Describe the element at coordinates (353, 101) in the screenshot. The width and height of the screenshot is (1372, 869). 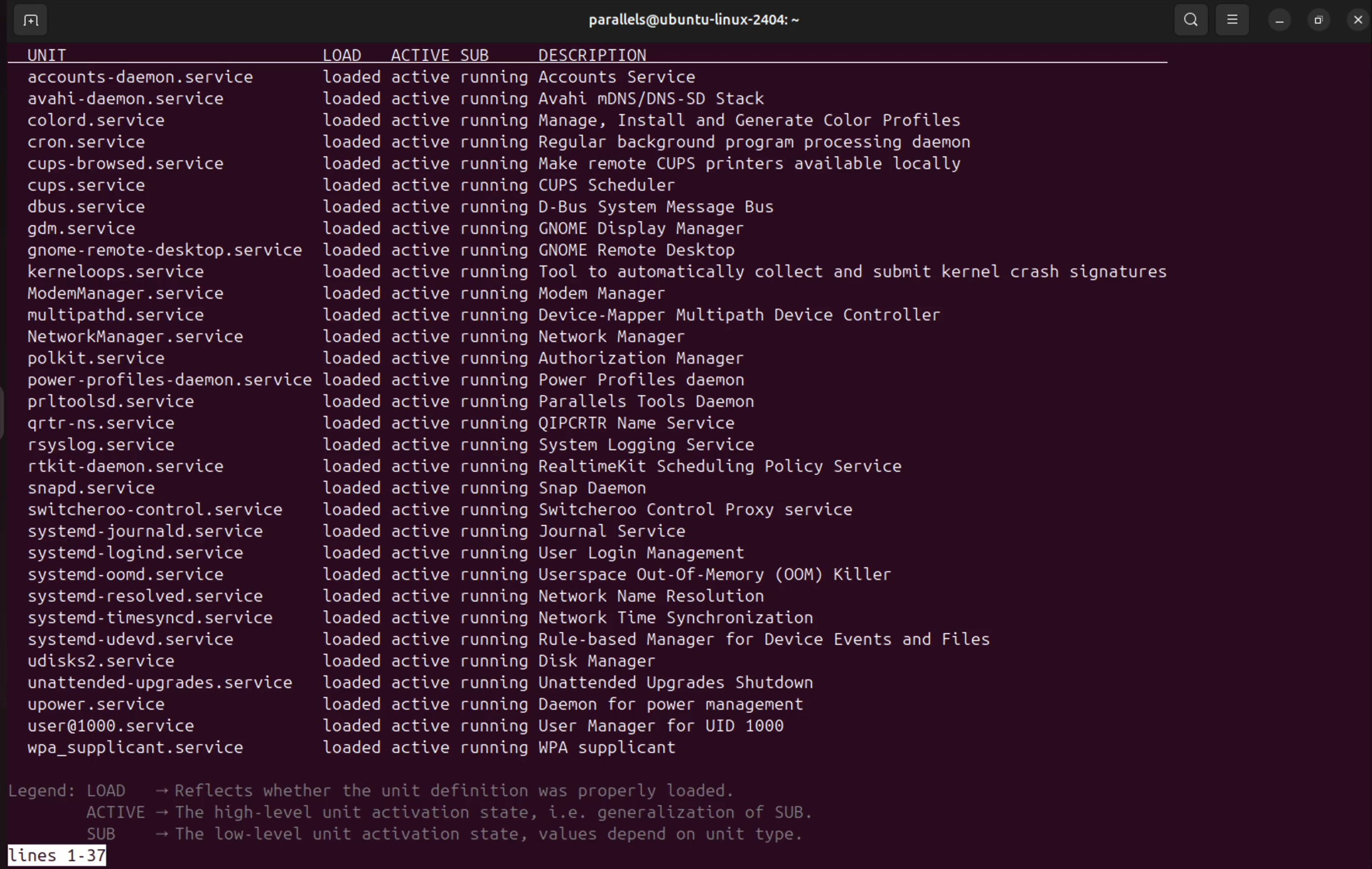
I see `loaded` at that location.